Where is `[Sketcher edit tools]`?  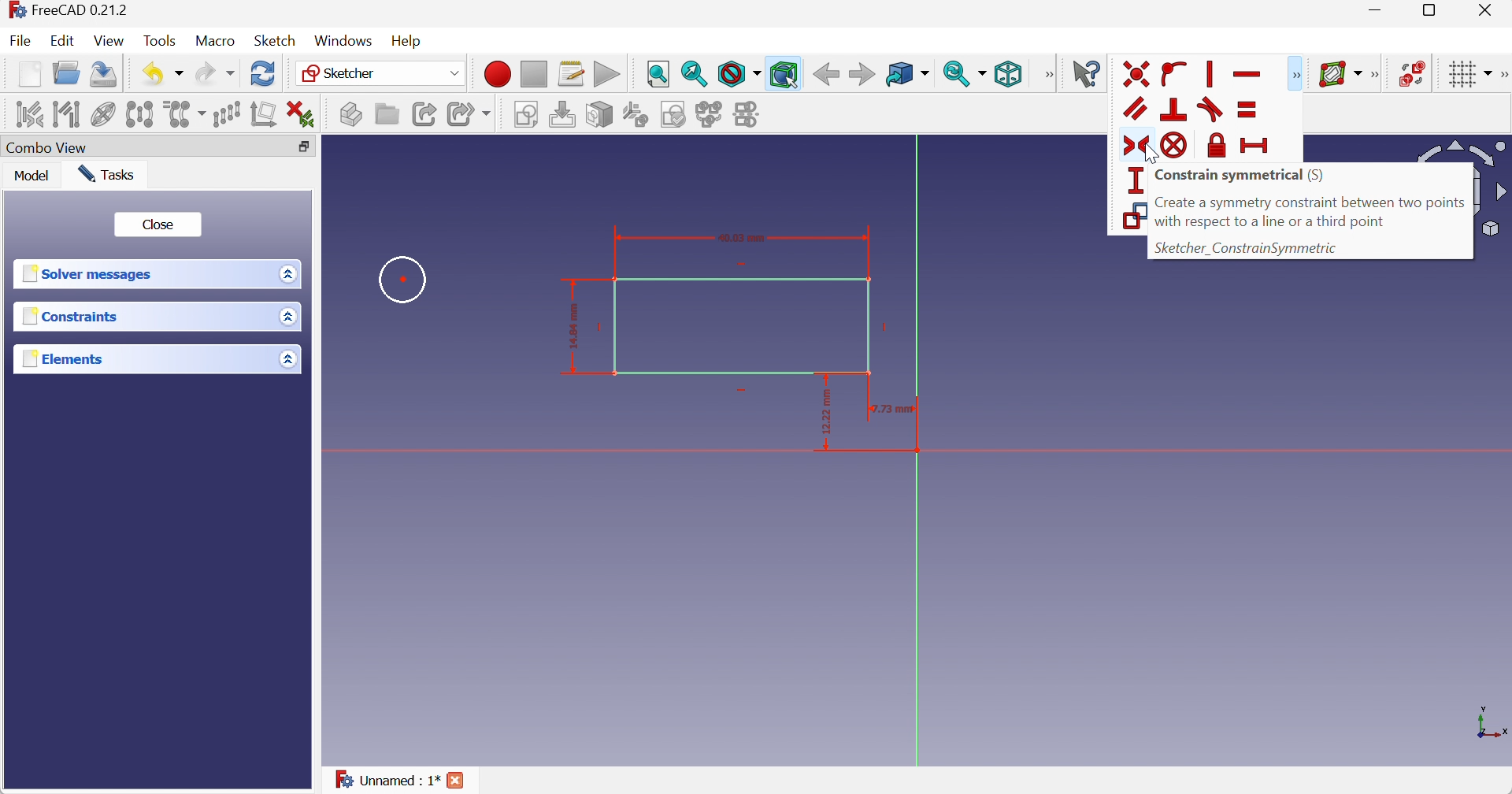 [Sketcher edit tools] is located at coordinates (1503, 75).